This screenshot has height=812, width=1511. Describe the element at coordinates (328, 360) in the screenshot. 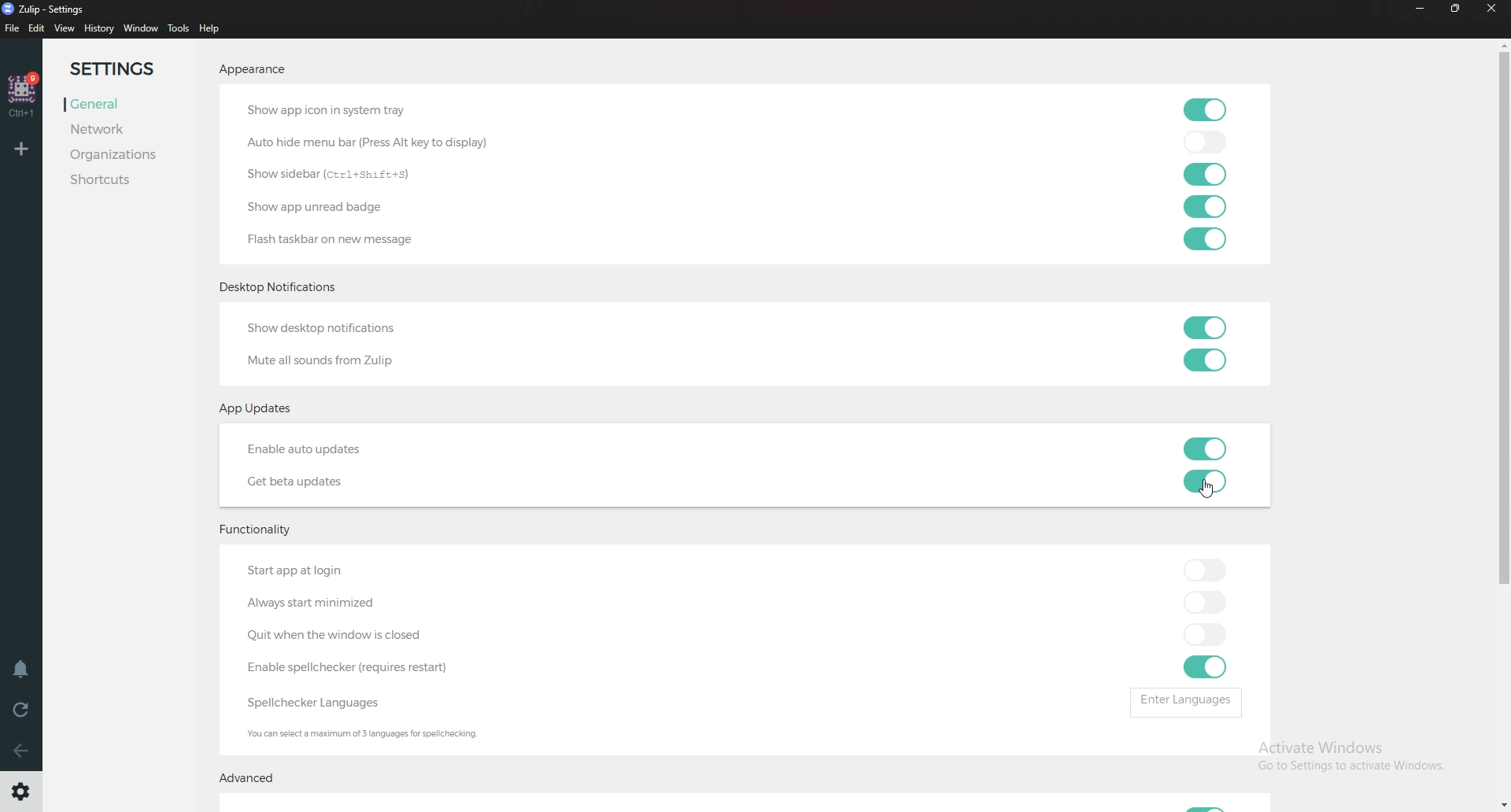

I see `Mute all sounds from Zulip` at that location.